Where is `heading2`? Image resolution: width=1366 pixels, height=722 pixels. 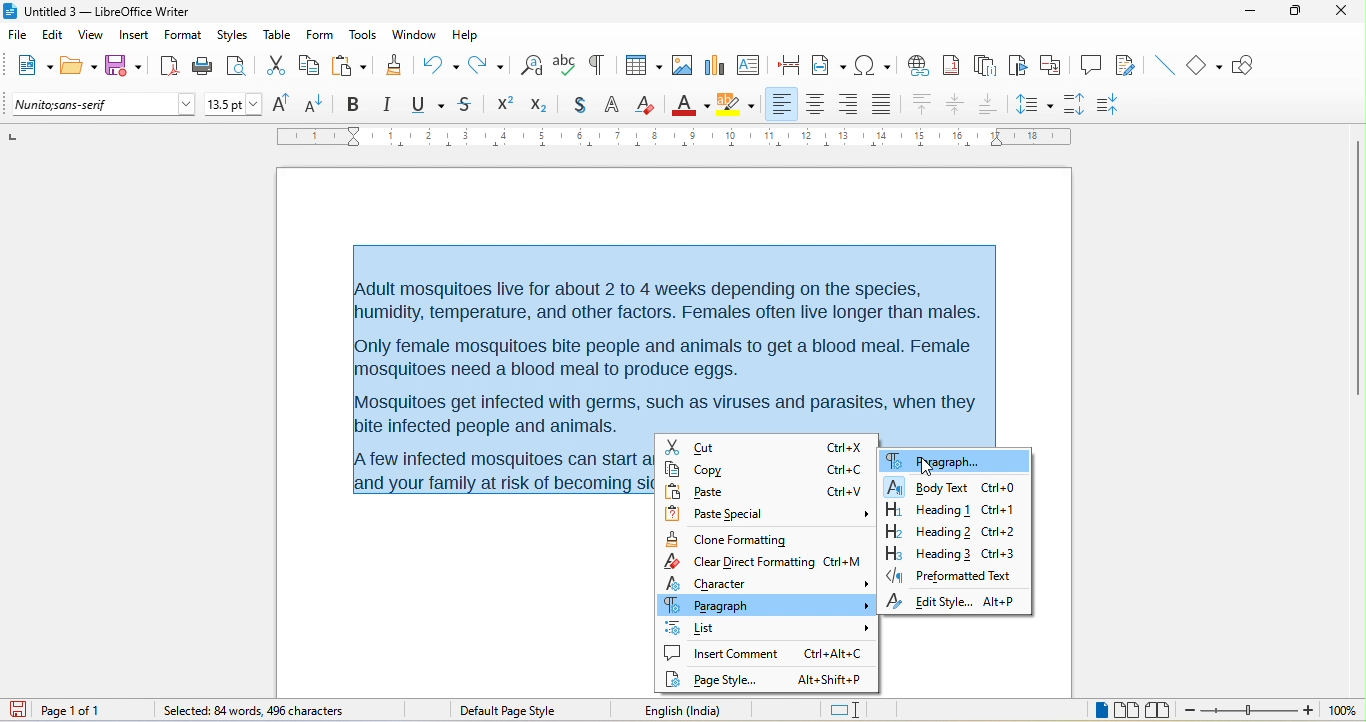
heading2 is located at coordinates (926, 531).